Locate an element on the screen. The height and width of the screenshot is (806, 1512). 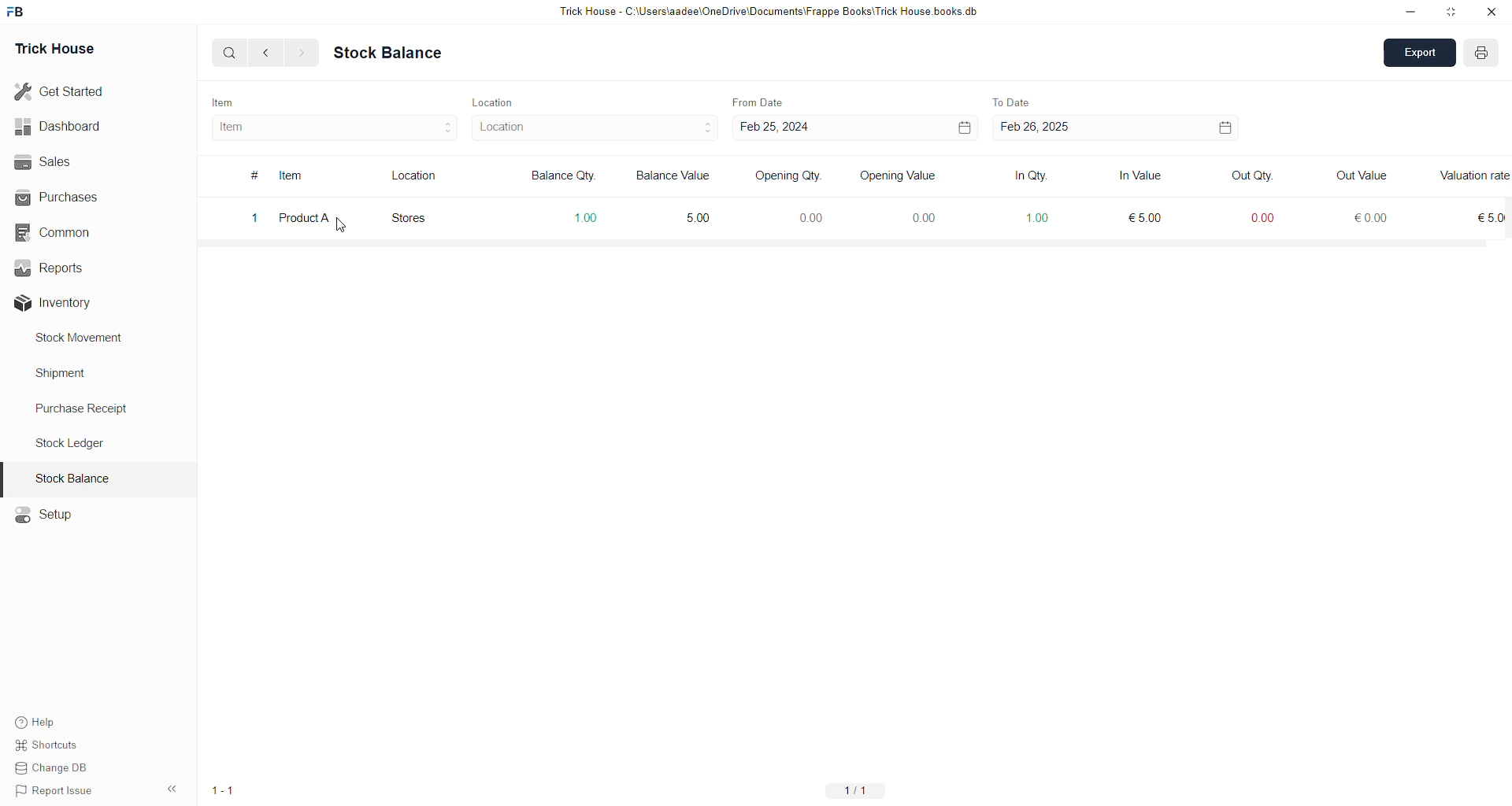
Add is located at coordinates (1481, 54).